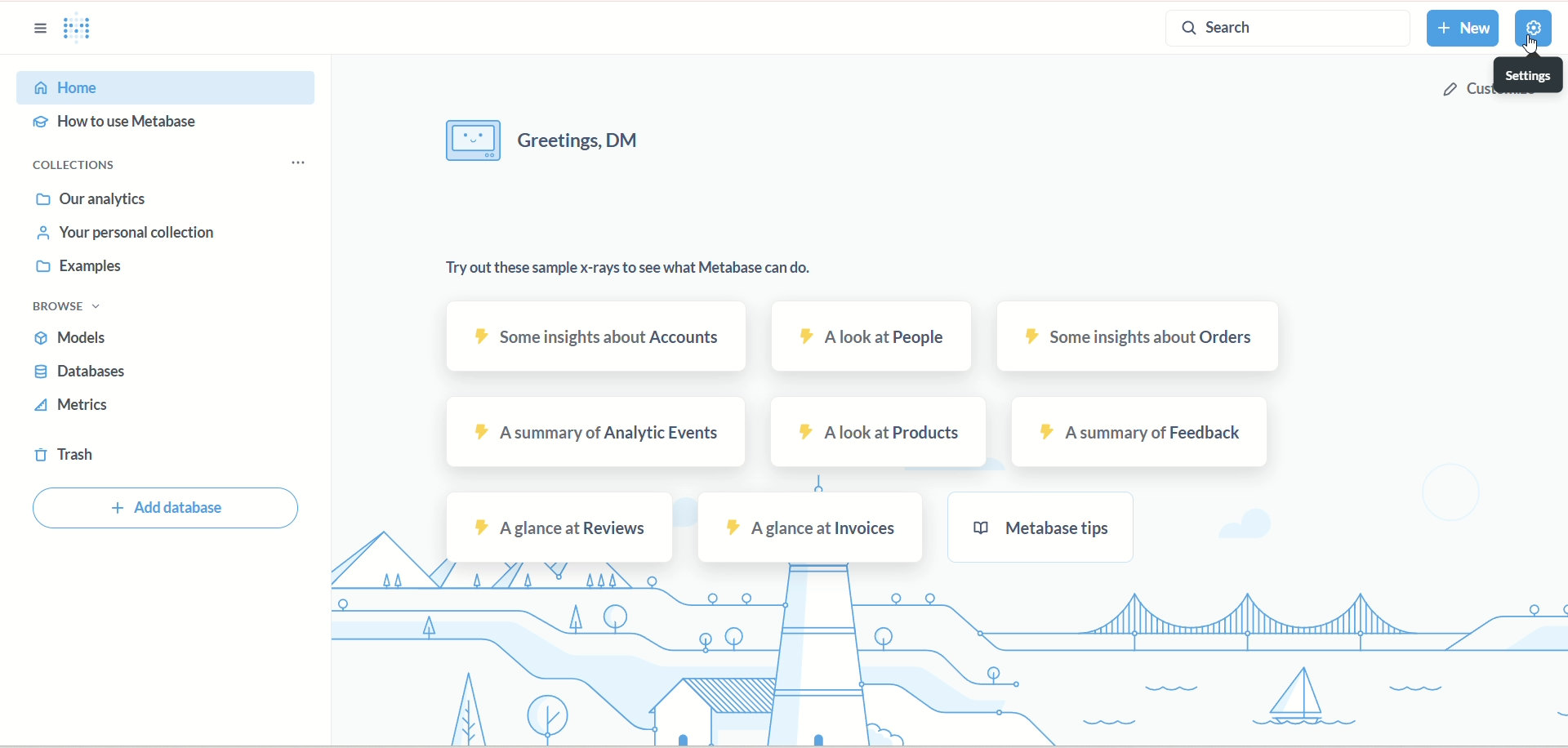 This screenshot has width=1568, height=748. What do you see at coordinates (42, 29) in the screenshot?
I see `show/hide sidebar` at bounding box center [42, 29].